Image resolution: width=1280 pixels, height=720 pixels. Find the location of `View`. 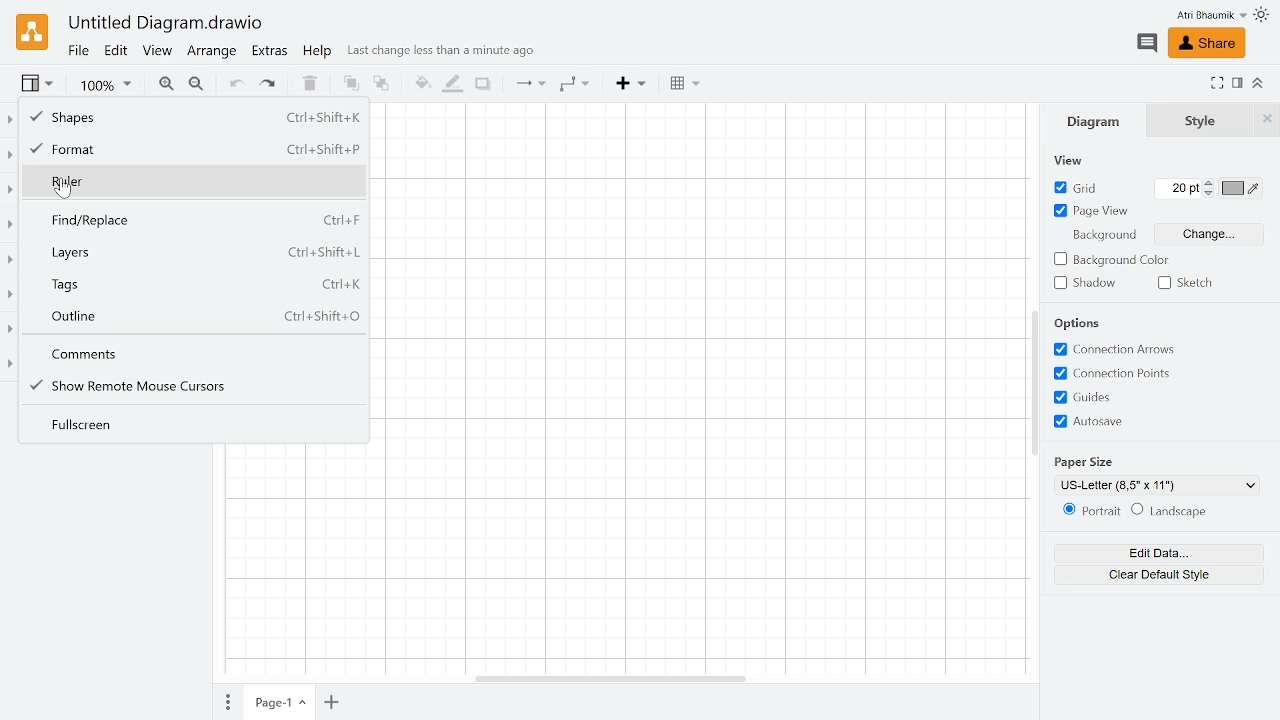

View is located at coordinates (35, 82).